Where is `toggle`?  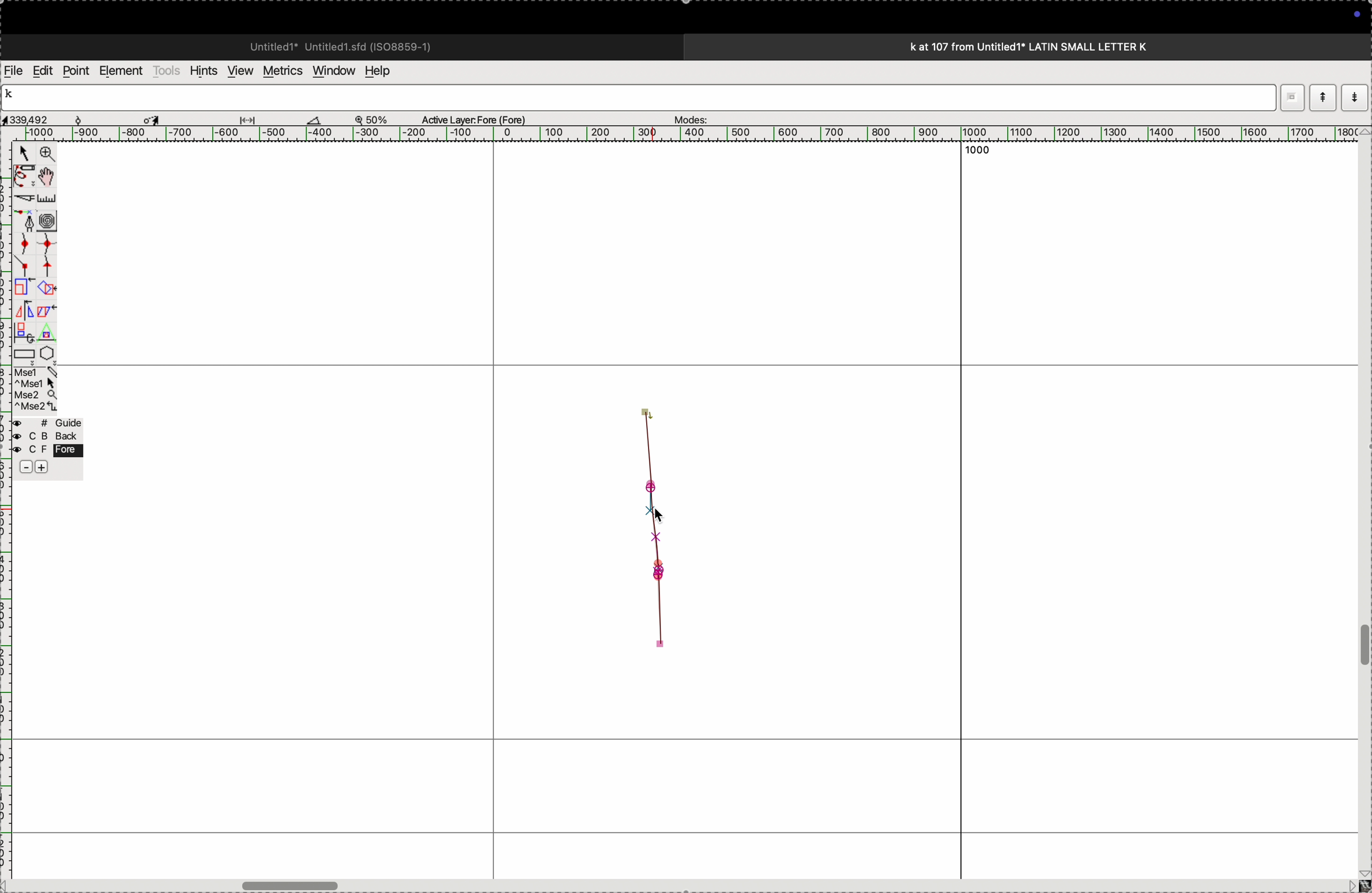
toggle is located at coordinates (1363, 646).